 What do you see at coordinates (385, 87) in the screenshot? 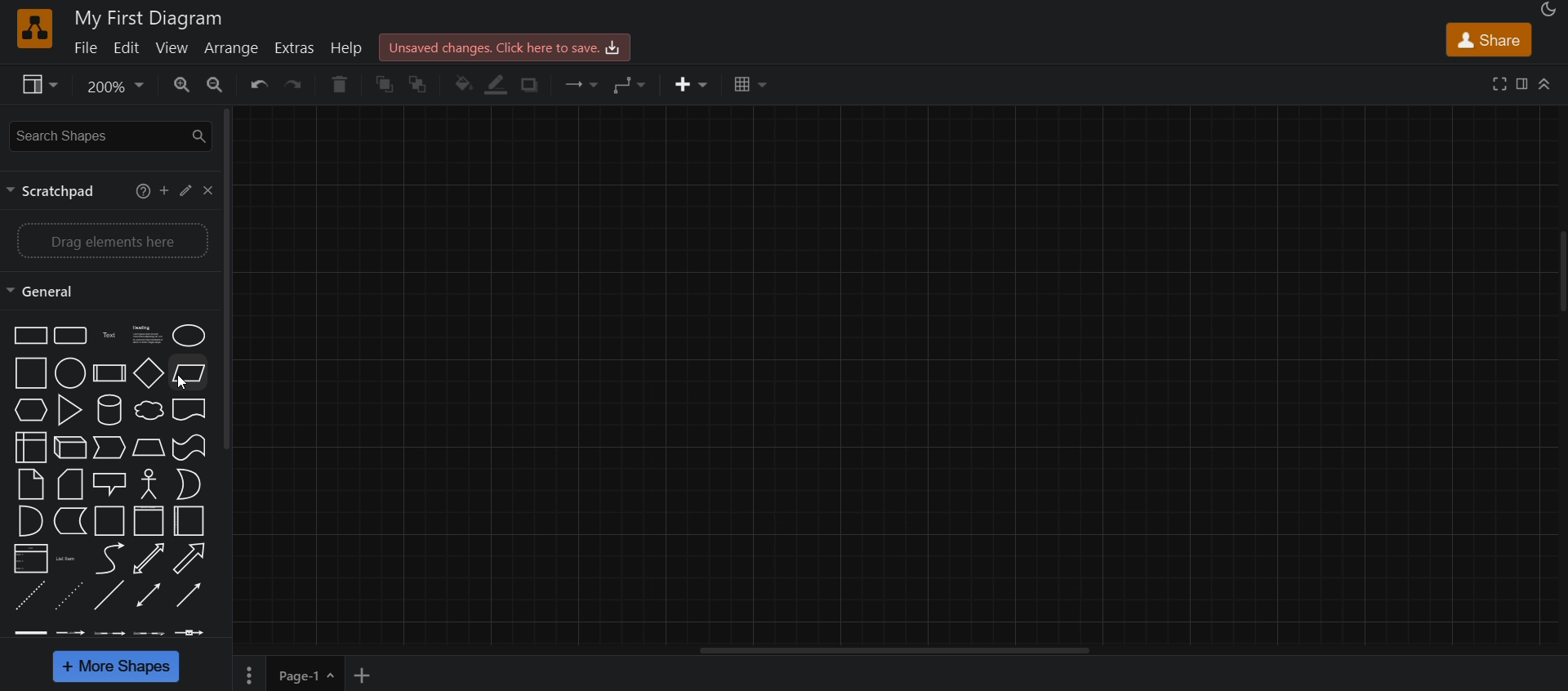
I see `to front` at bounding box center [385, 87].